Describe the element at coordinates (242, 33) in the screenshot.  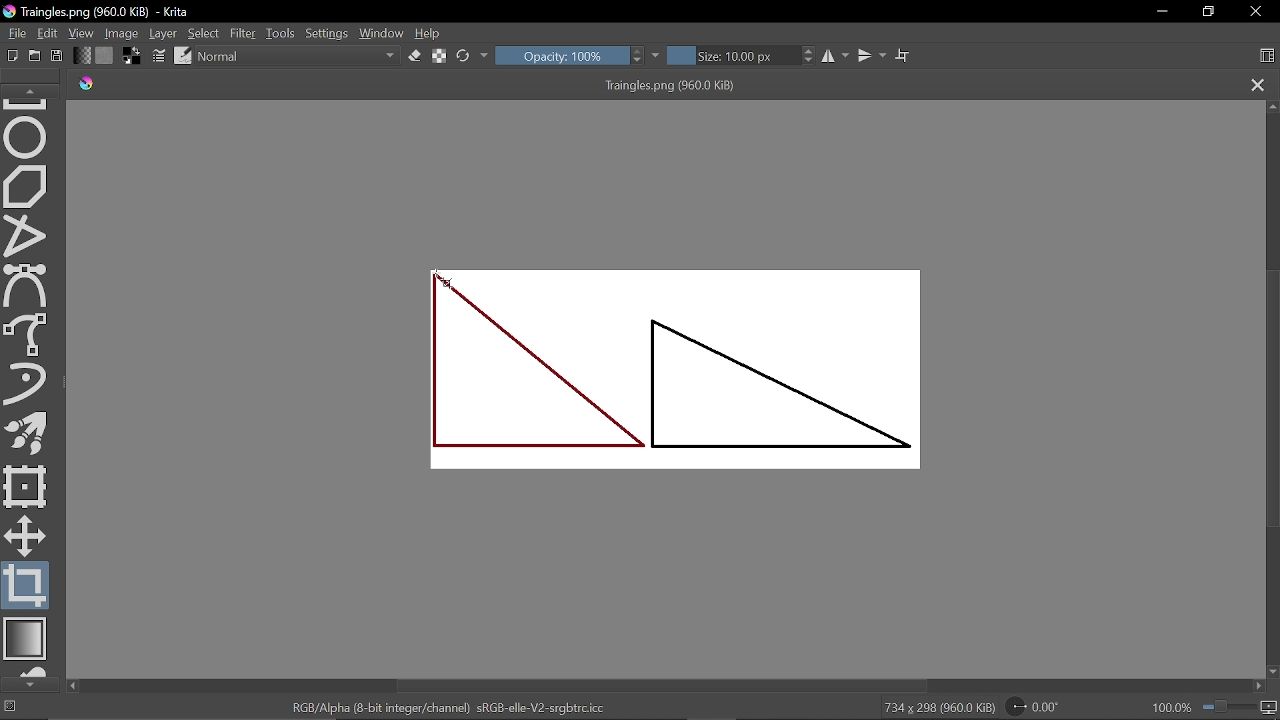
I see `Filter` at that location.